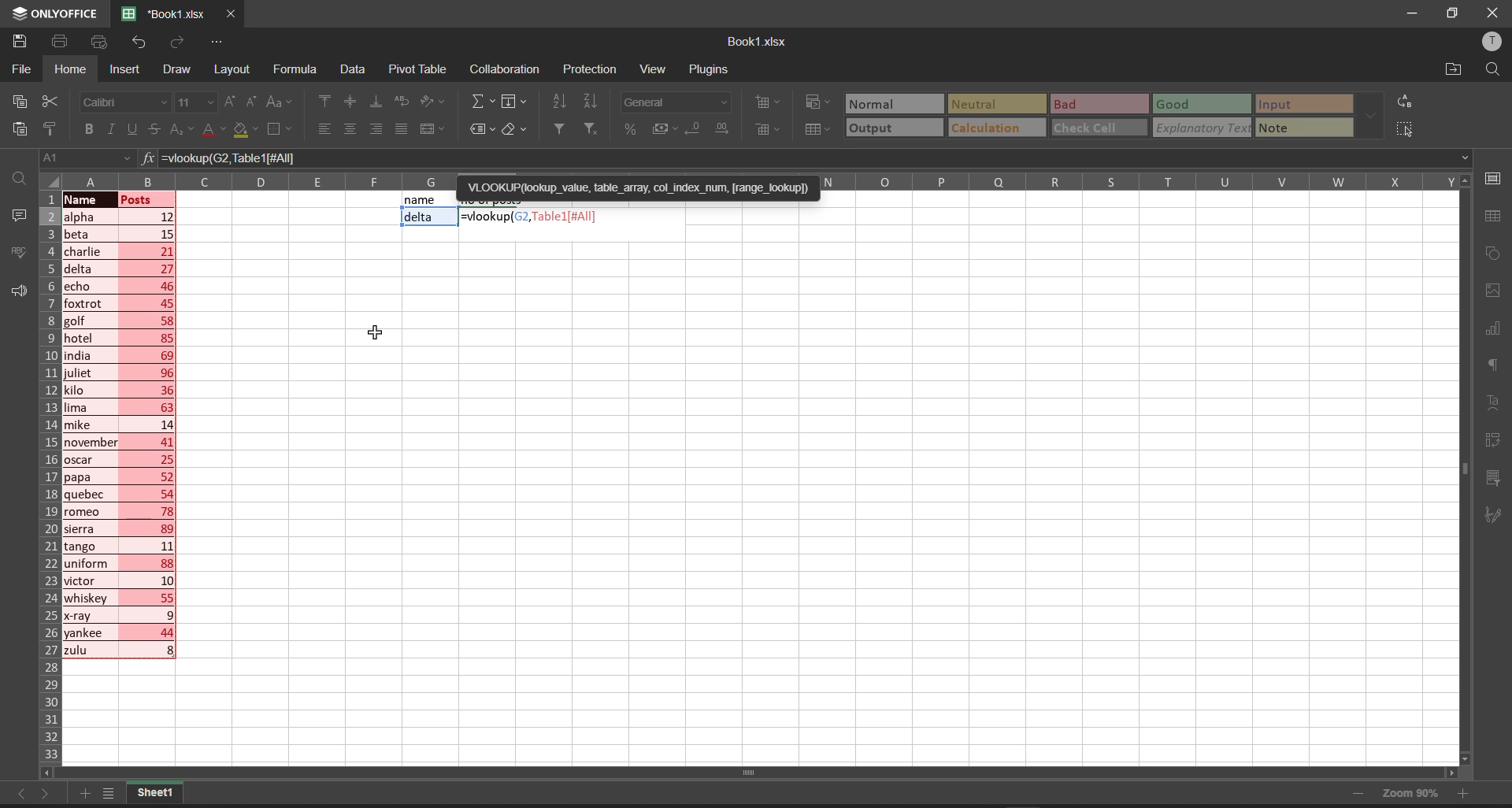 This screenshot has height=808, width=1512. What do you see at coordinates (1494, 294) in the screenshot?
I see `image settings` at bounding box center [1494, 294].